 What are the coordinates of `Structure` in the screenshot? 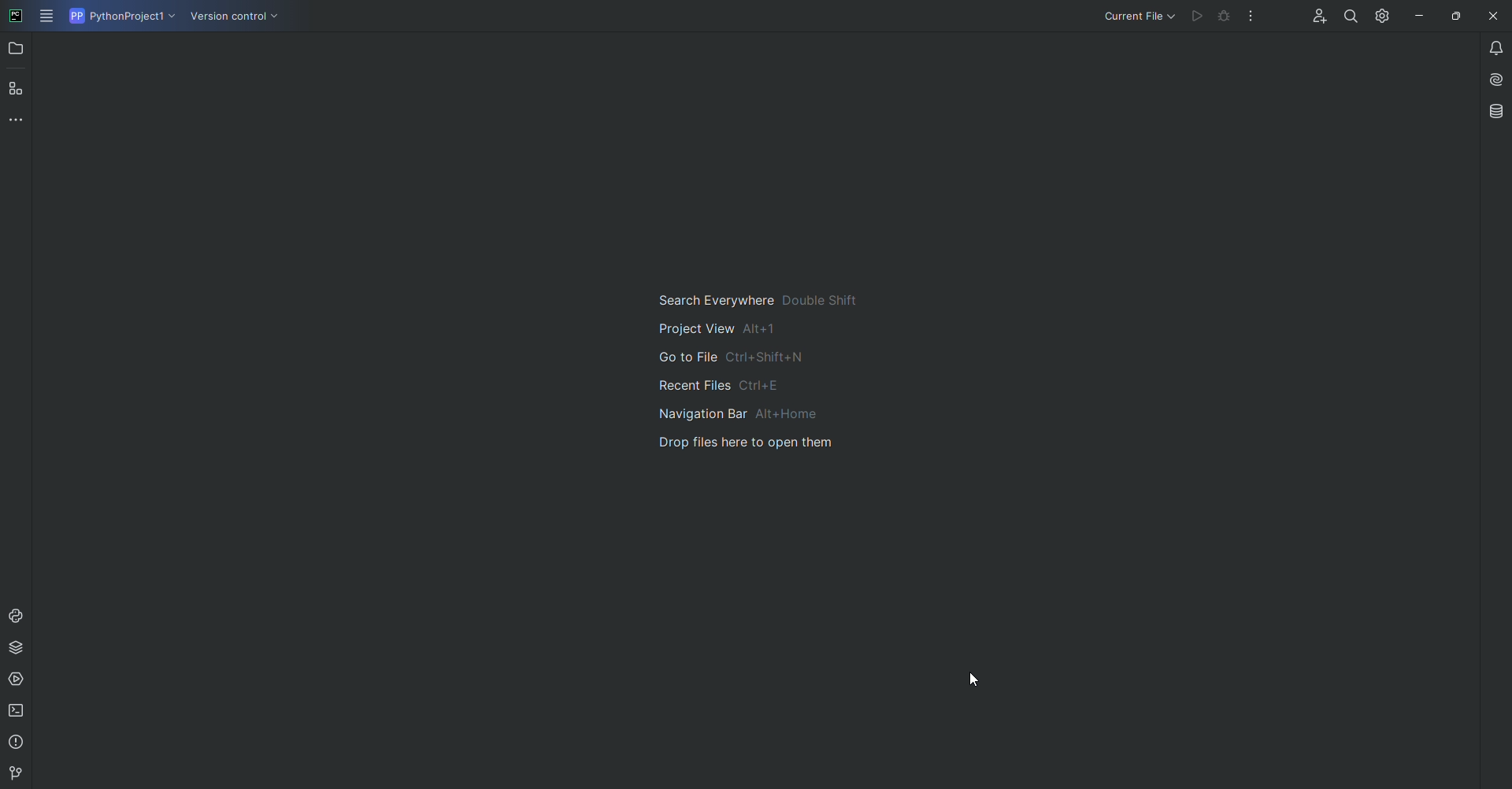 It's located at (17, 87).